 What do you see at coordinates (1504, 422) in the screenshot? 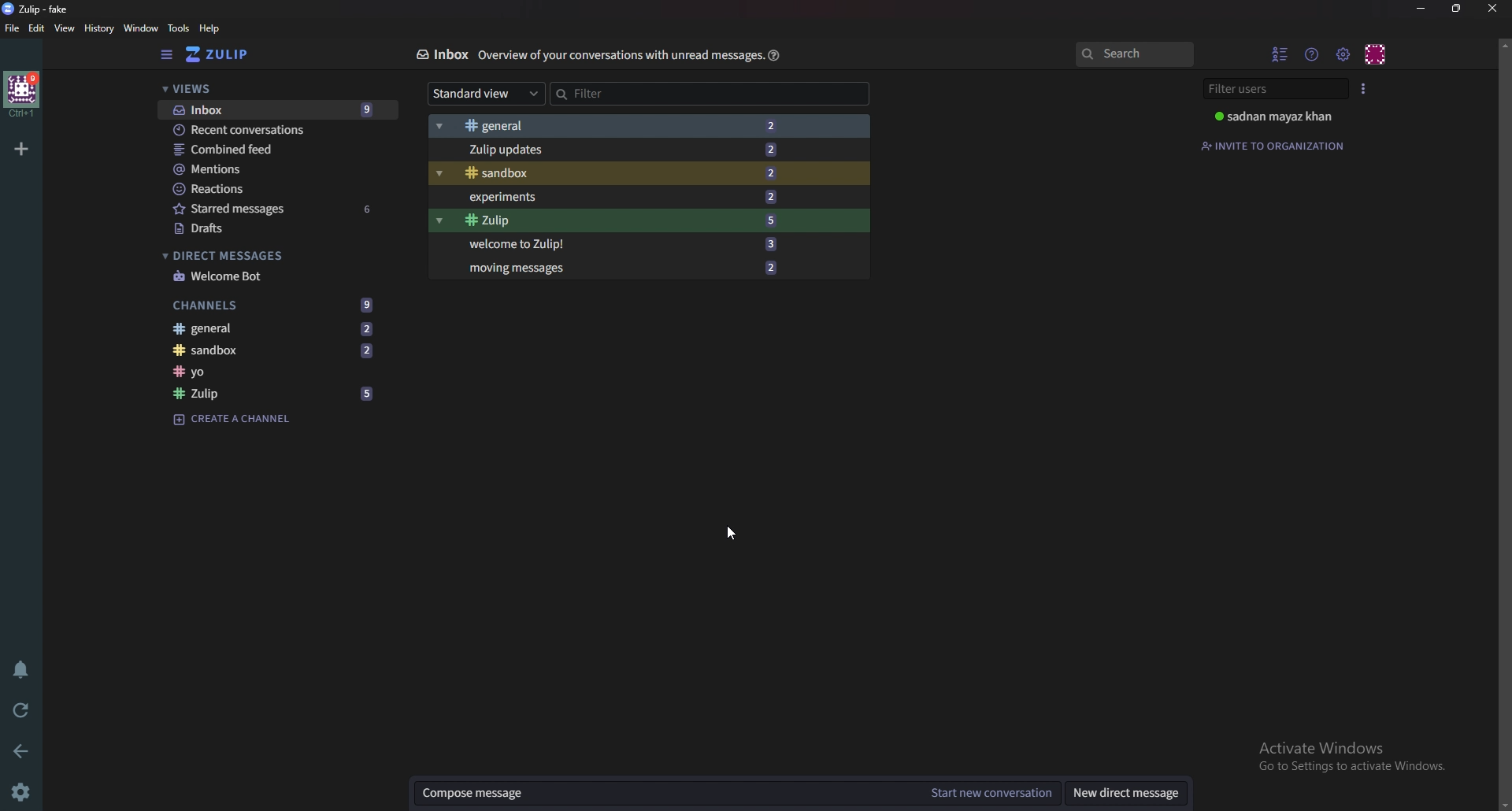
I see `Scroll bar` at bounding box center [1504, 422].